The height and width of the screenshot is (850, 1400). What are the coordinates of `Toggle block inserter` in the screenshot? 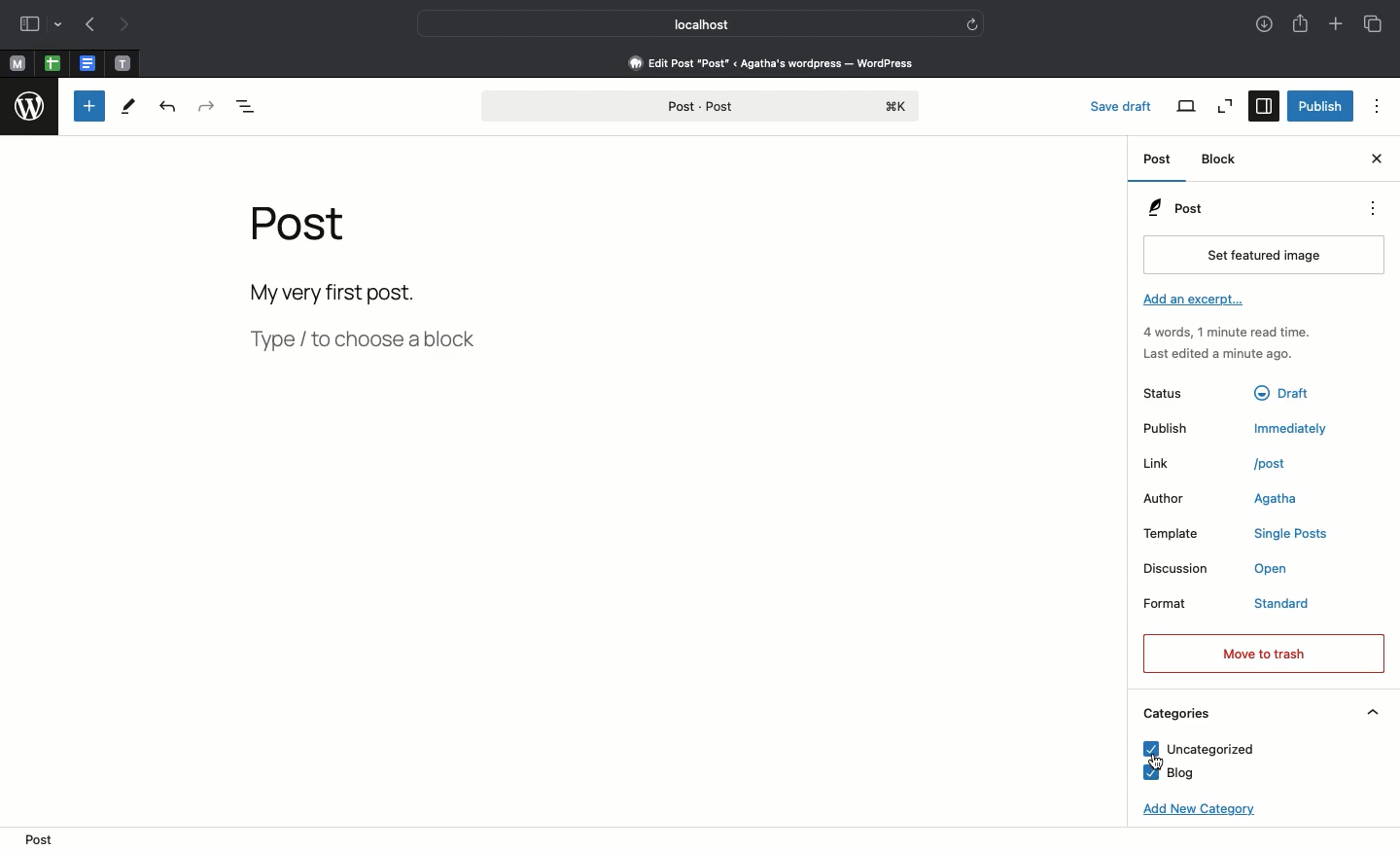 It's located at (89, 106).